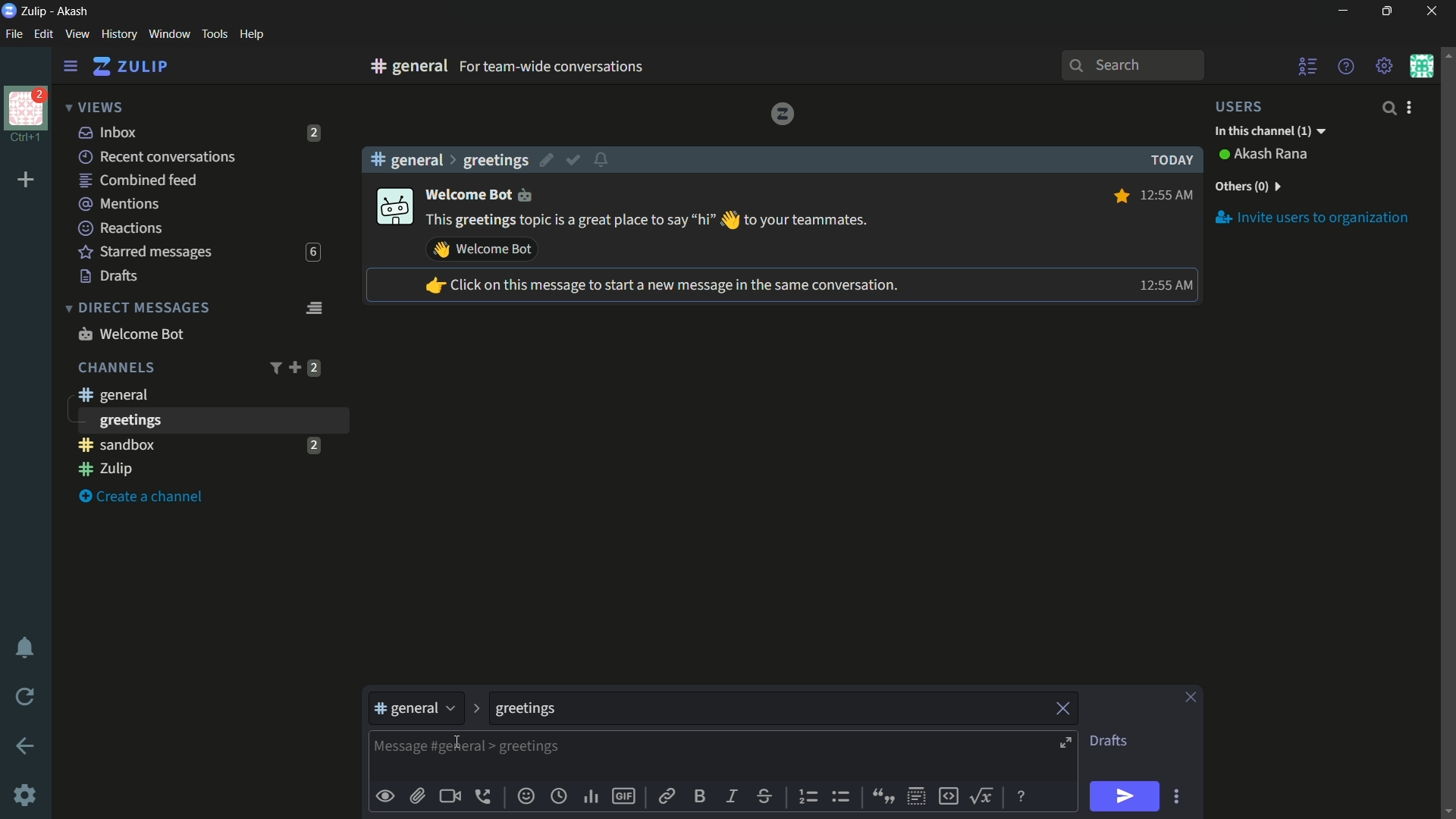 This screenshot has height=819, width=1456. I want to click on message formatting, so click(1023, 795).